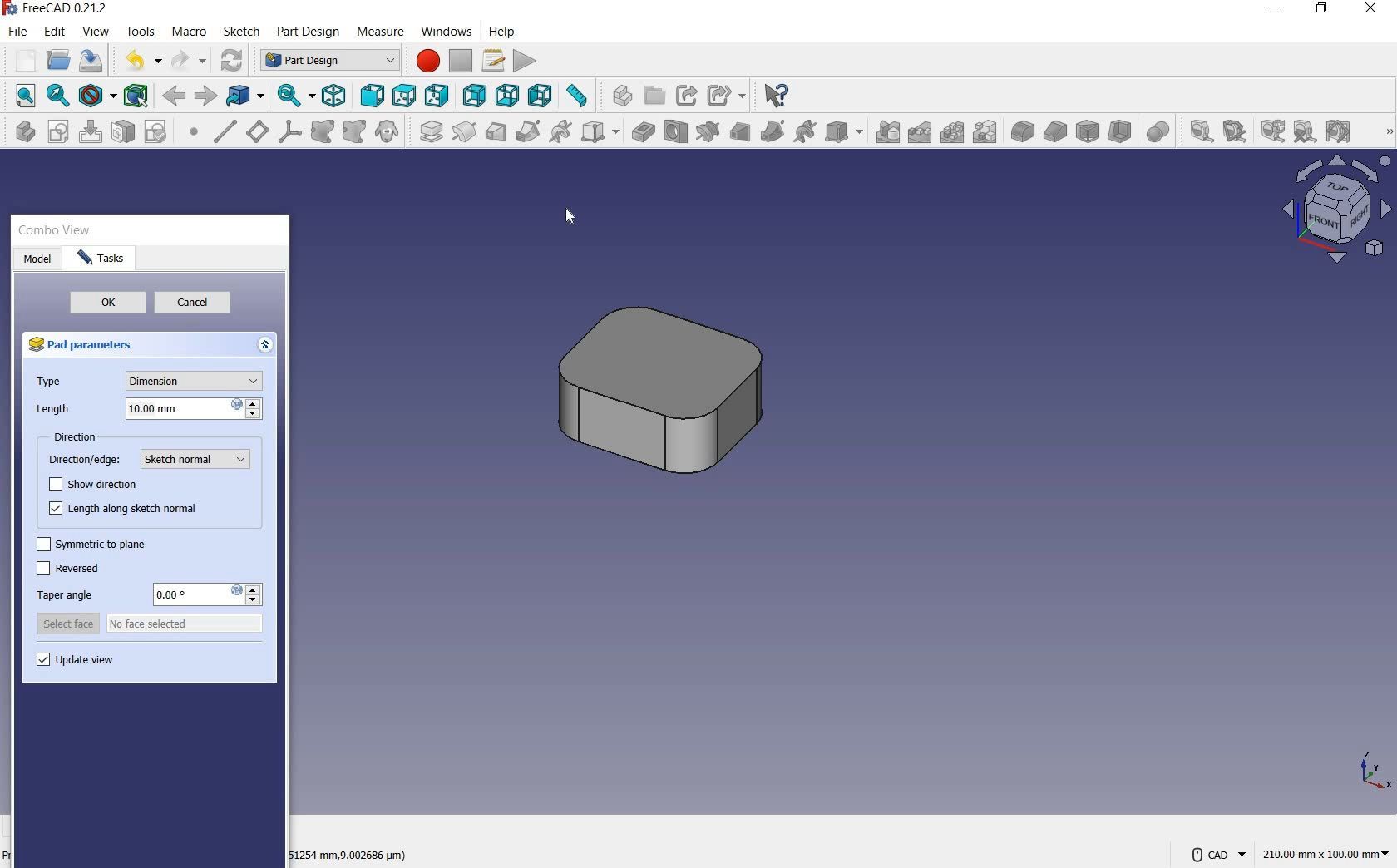 This screenshot has height=868, width=1397. Describe the element at coordinates (76, 663) in the screenshot. I see `update view` at that location.